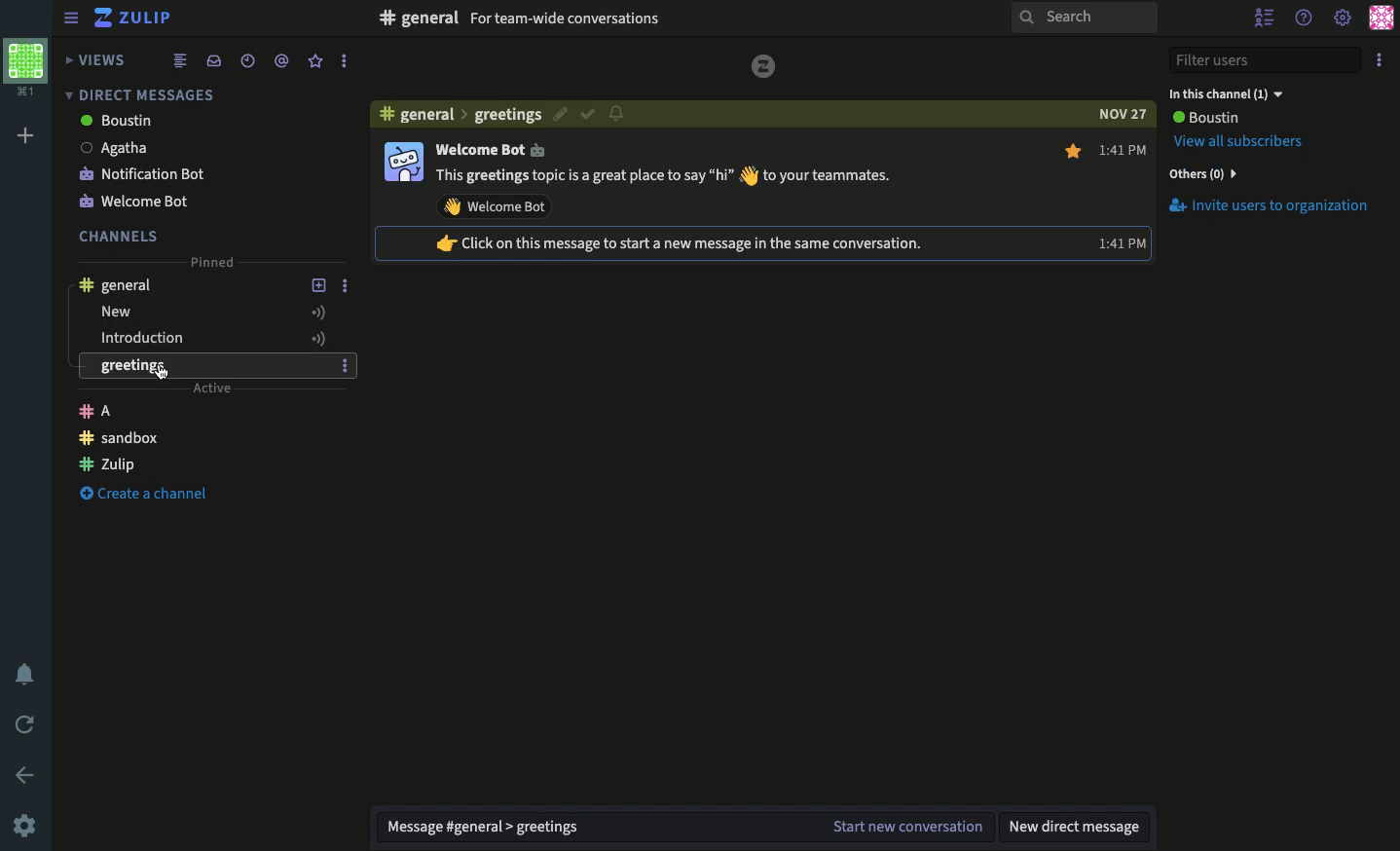 The height and width of the screenshot is (851, 1400). What do you see at coordinates (665, 176) in the screenshot?
I see `welcome text` at bounding box center [665, 176].